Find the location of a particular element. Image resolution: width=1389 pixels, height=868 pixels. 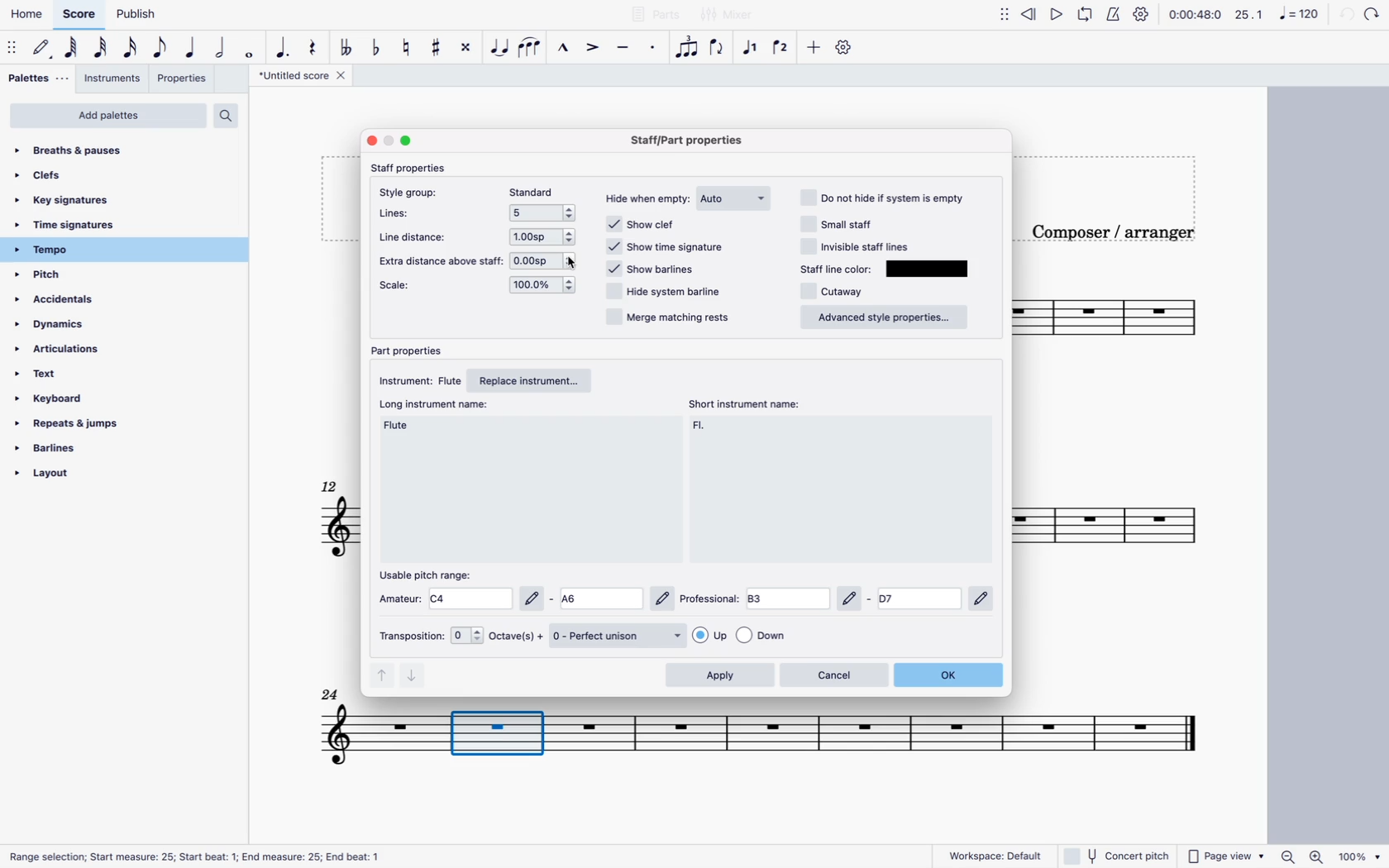

whole note is located at coordinates (248, 50).